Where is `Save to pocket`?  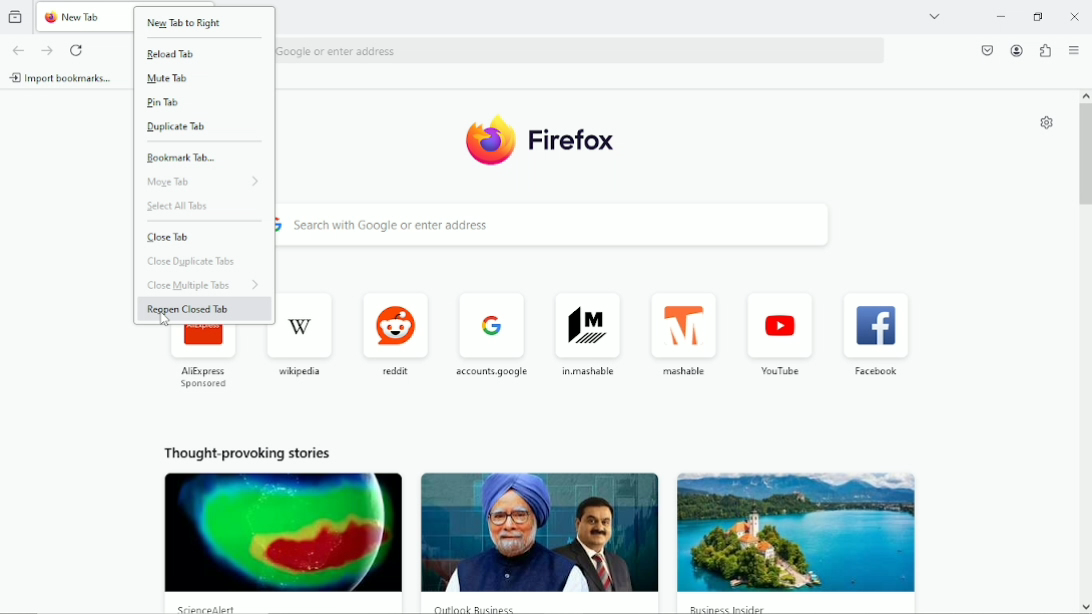
Save to pocket is located at coordinates (985, 51).